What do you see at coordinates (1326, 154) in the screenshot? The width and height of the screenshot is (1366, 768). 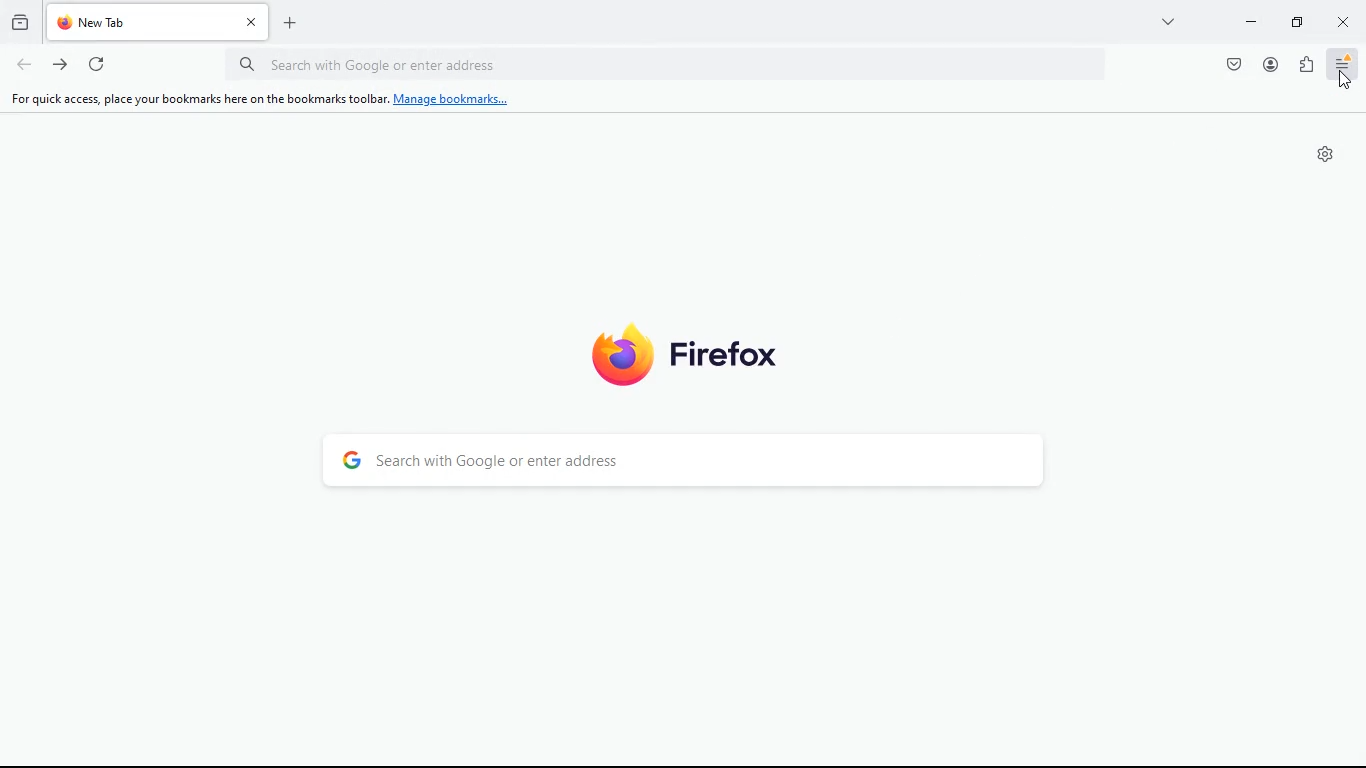 I see `settings` at bounding box center [1326, 154].